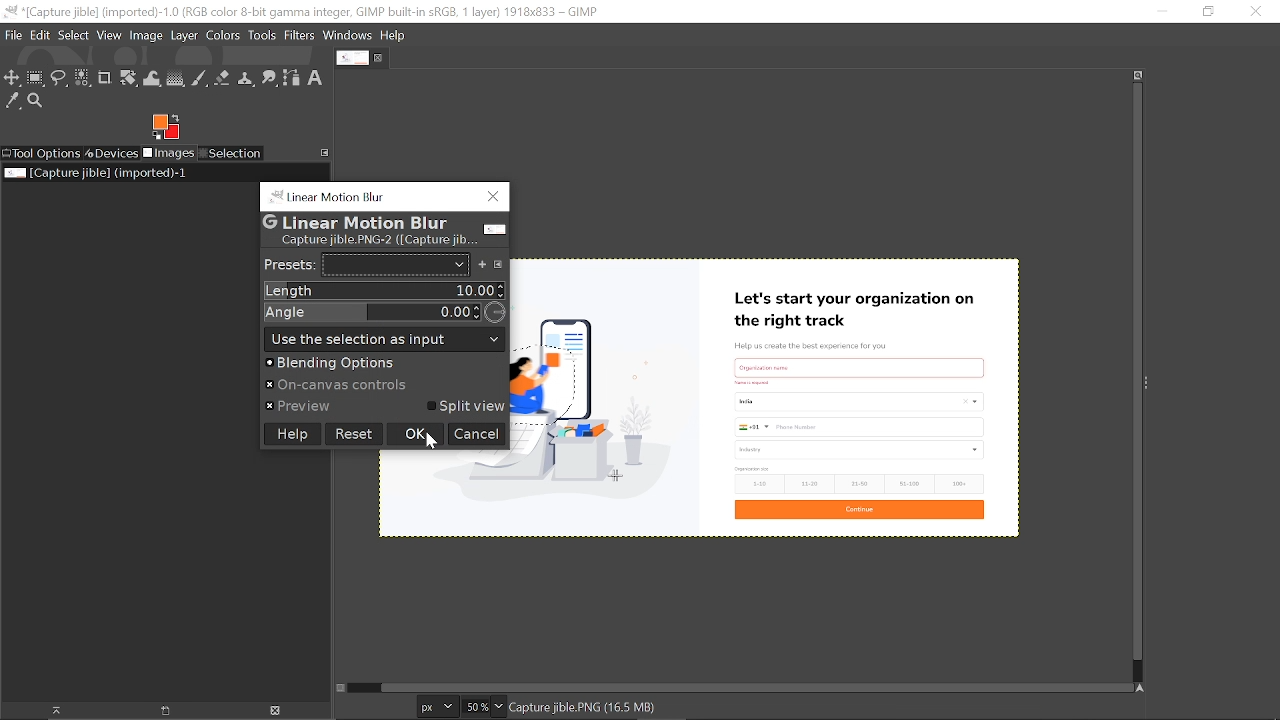 The height and width of the screenshot is (720, 1280). Describe the element at coordinates (383, 290) in the screenshot. I see `Length` at that location.